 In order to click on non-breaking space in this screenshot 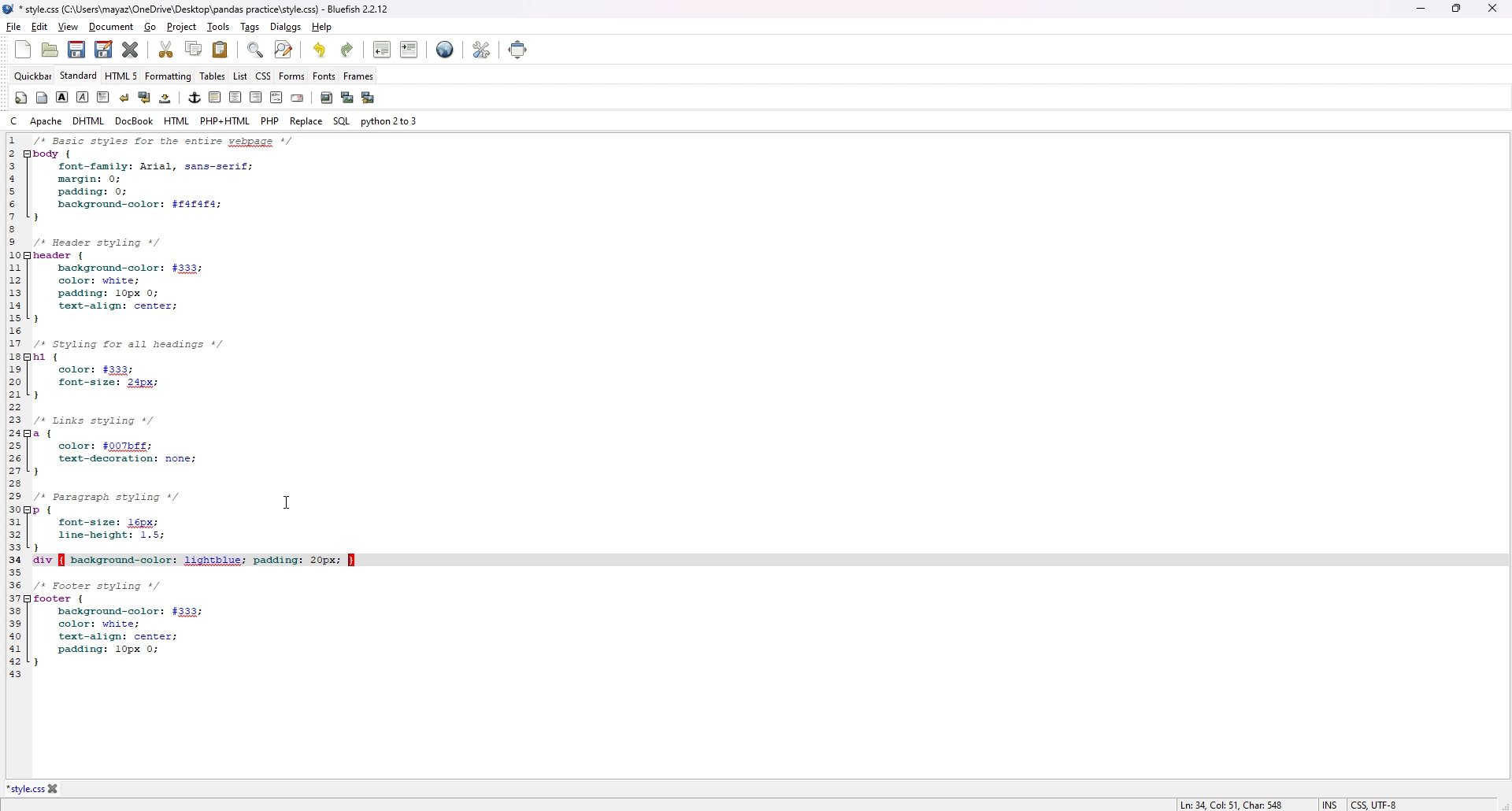, I will do `click(165, 98)`.